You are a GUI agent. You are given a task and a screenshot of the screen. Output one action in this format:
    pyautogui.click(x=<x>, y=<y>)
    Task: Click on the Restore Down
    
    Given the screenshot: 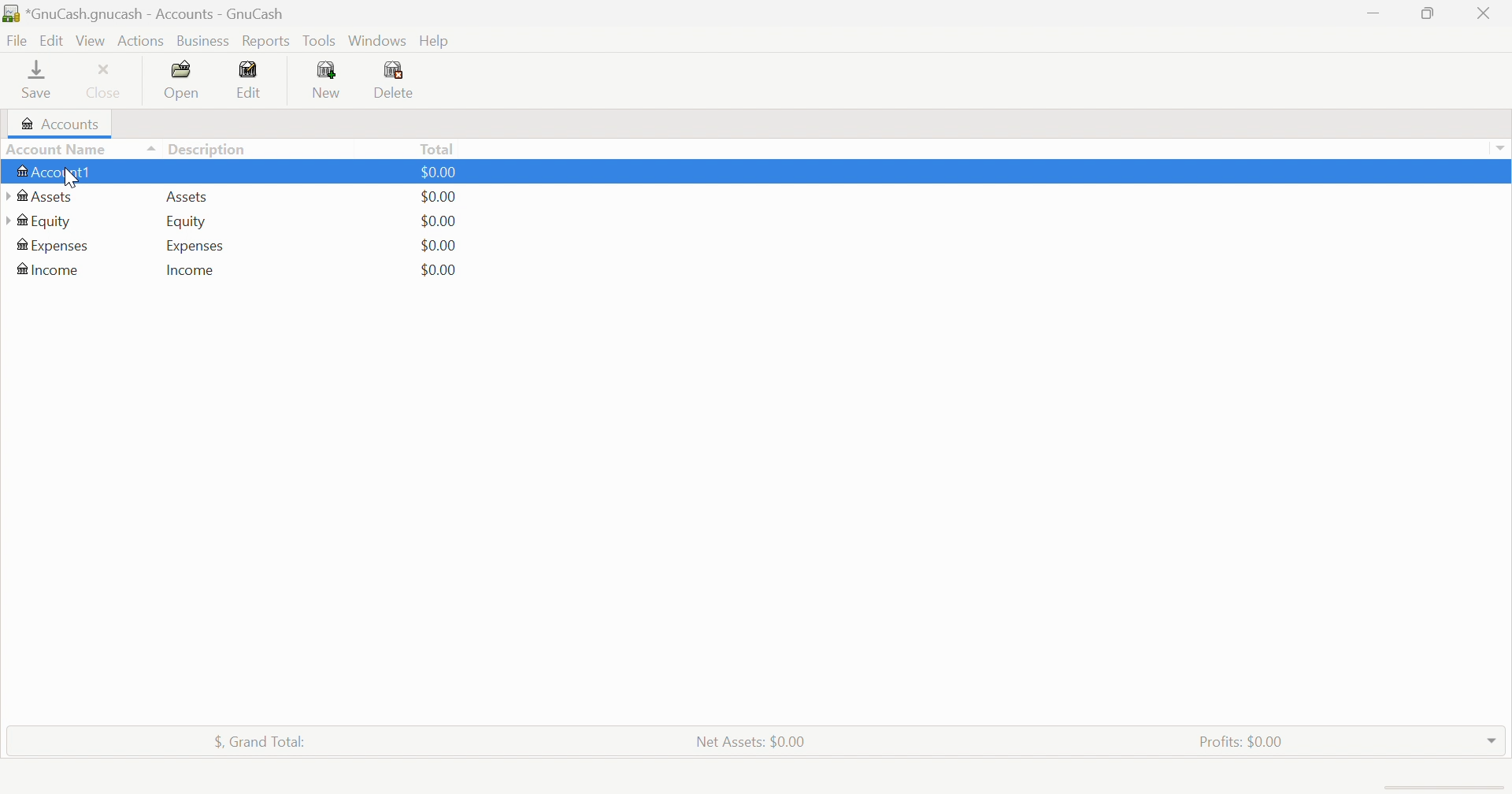 What is the action you would take?
    pyautogui.click(x=1429, y=13)
    